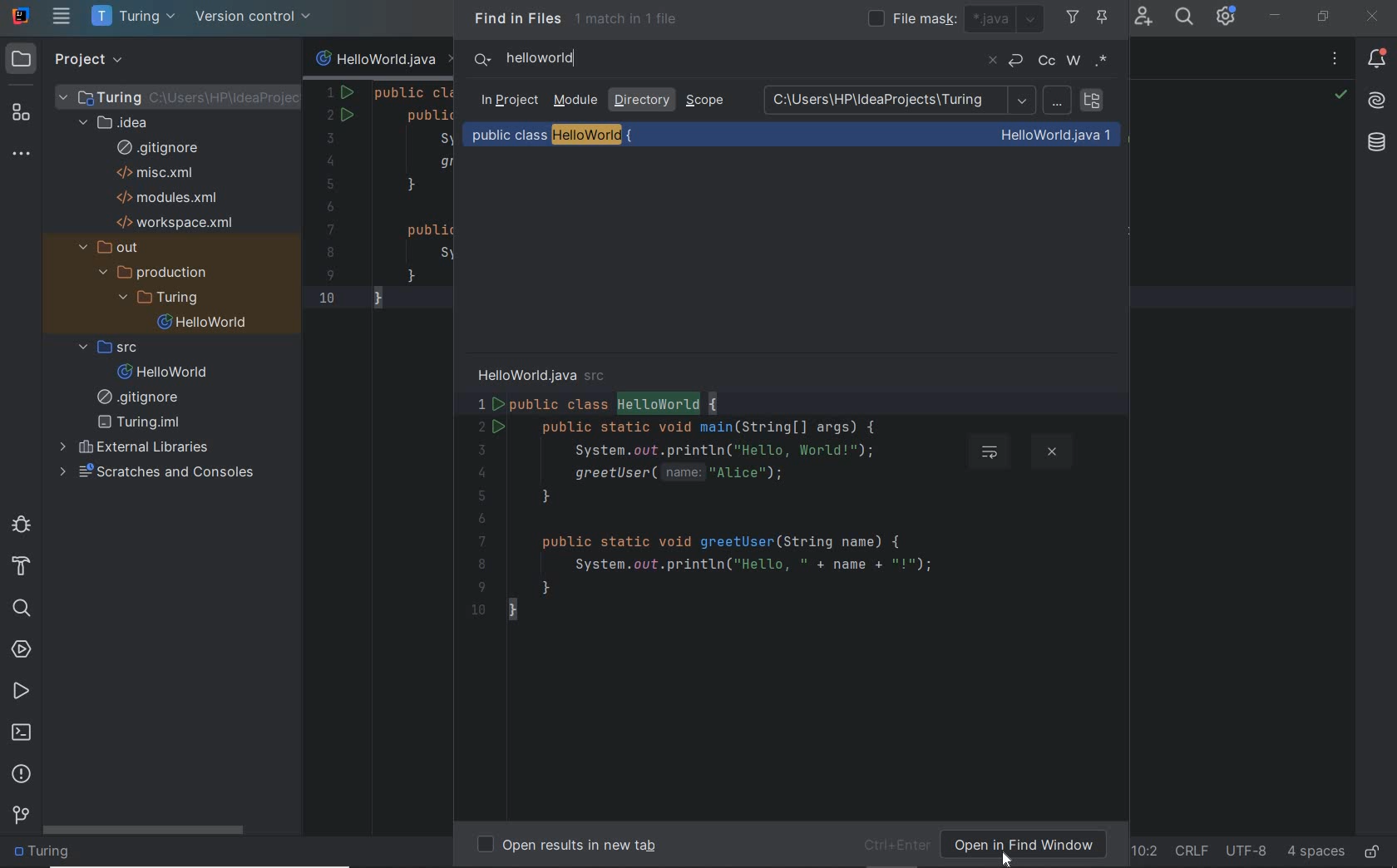 This screenshot has height=868, width=1397. Describe the element at coordinates (145, 423) in the screenshot. I see `filename.Iml` at that location.